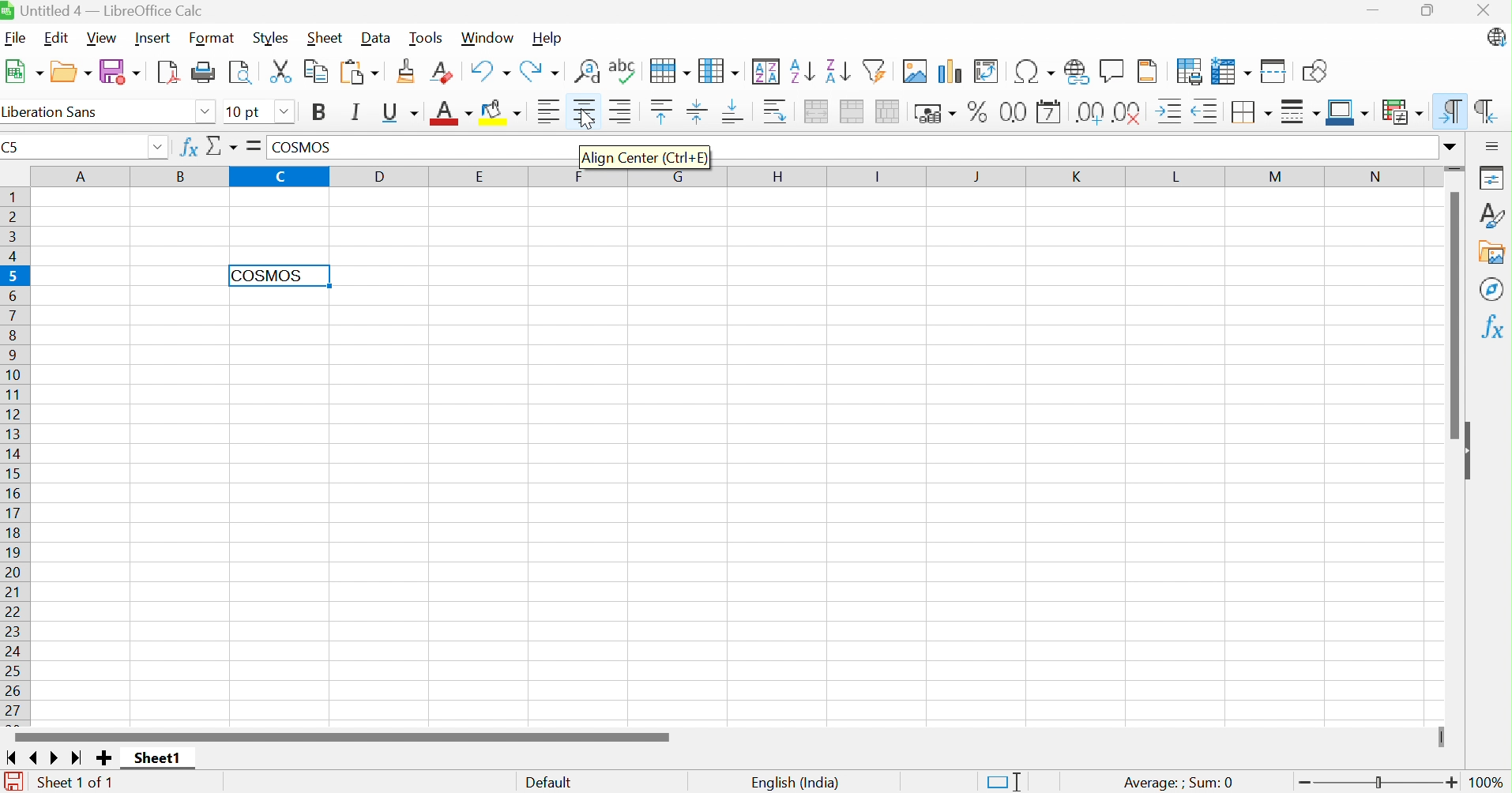 Image resolution: width=1512 pixels, height=793 pixels. What do you see at coordinates (239, 73) in the screenshot?
I see `Toggle Print Preview` at bounding box center [239, 73].